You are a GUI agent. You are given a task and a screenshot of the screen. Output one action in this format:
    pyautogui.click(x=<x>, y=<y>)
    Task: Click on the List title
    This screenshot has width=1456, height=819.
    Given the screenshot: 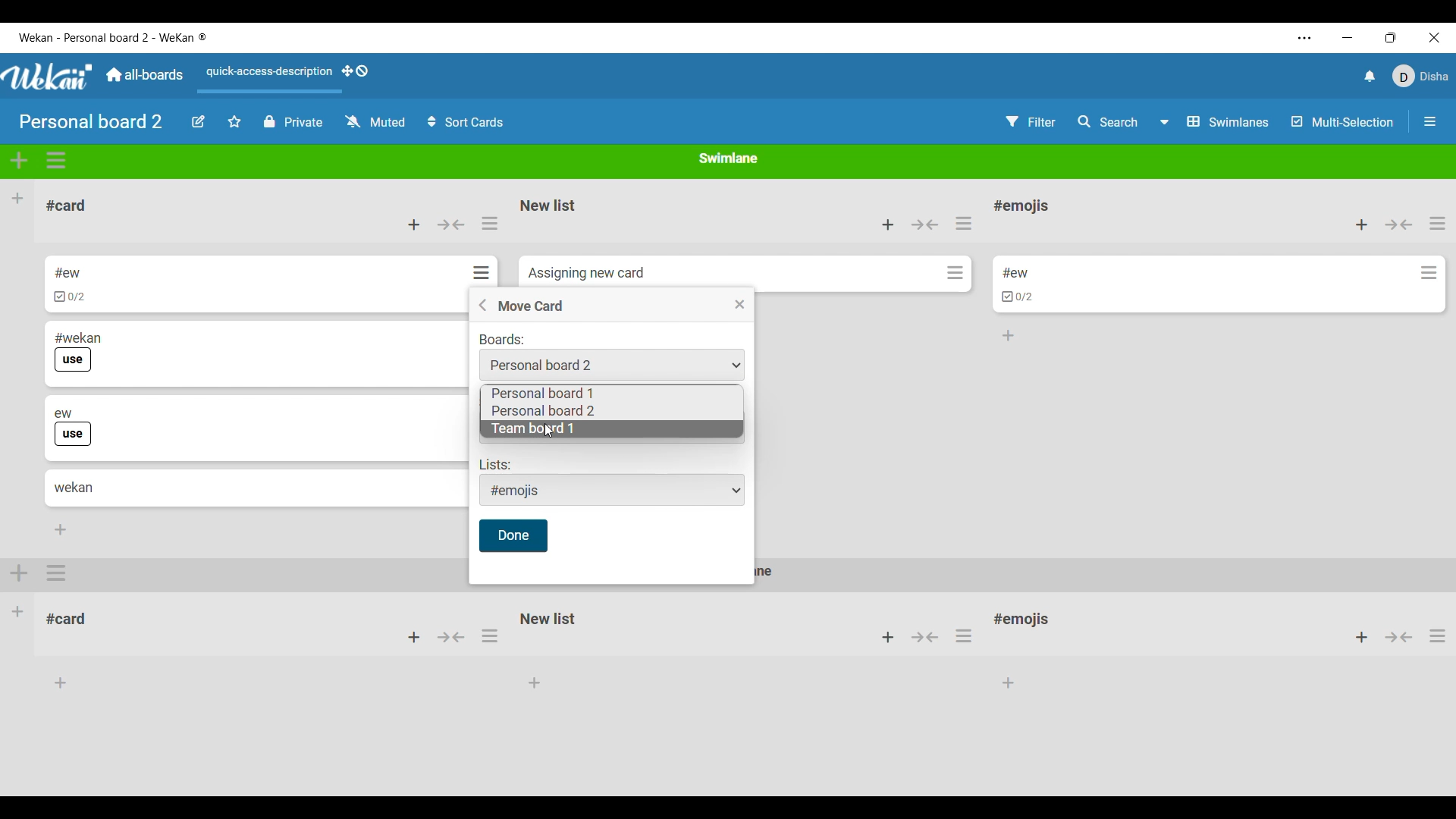 What is the action you would take?
    pyautogui.click(x=67, y=206)
    